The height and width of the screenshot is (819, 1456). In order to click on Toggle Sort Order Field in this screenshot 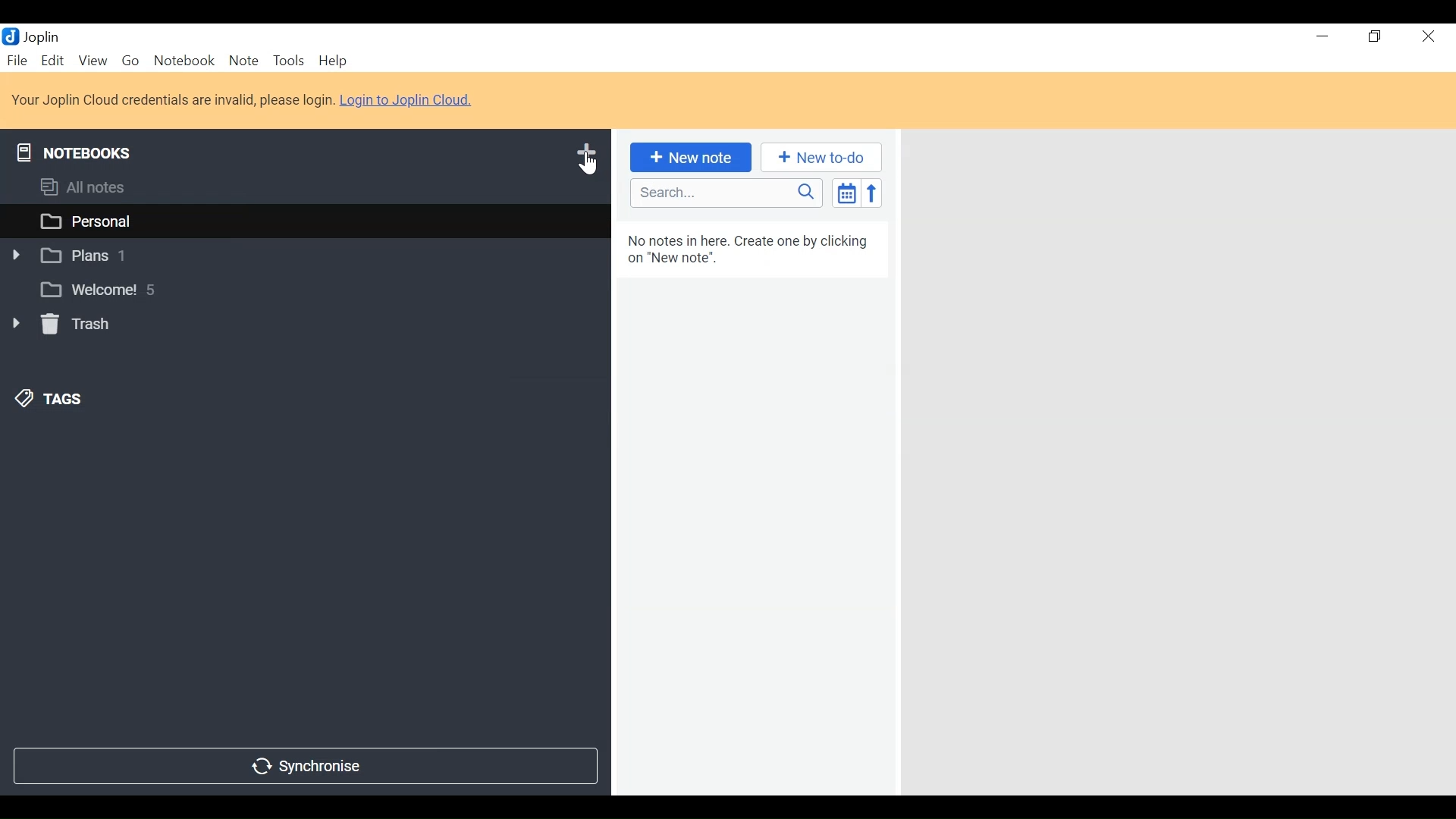, I will do `click(846, 193)`.